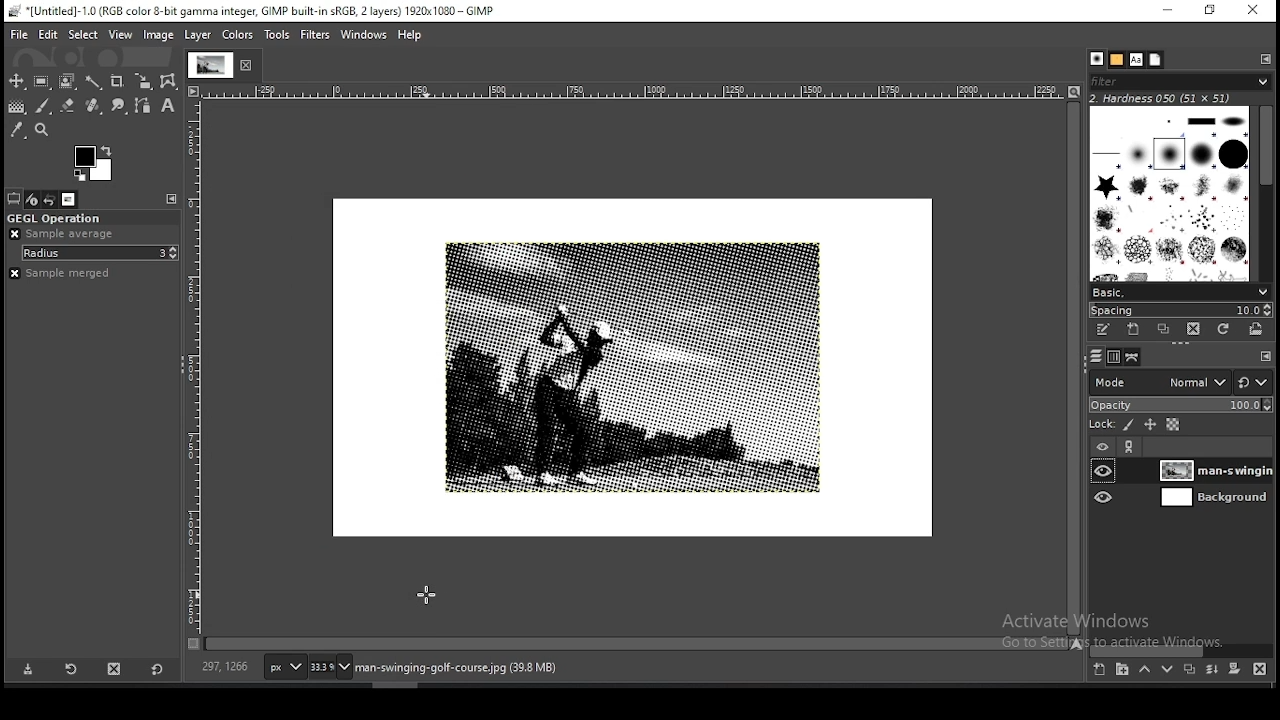  Describe the element at coordinates (1181, 309) in the screenshot. I see `spacing` at that location.